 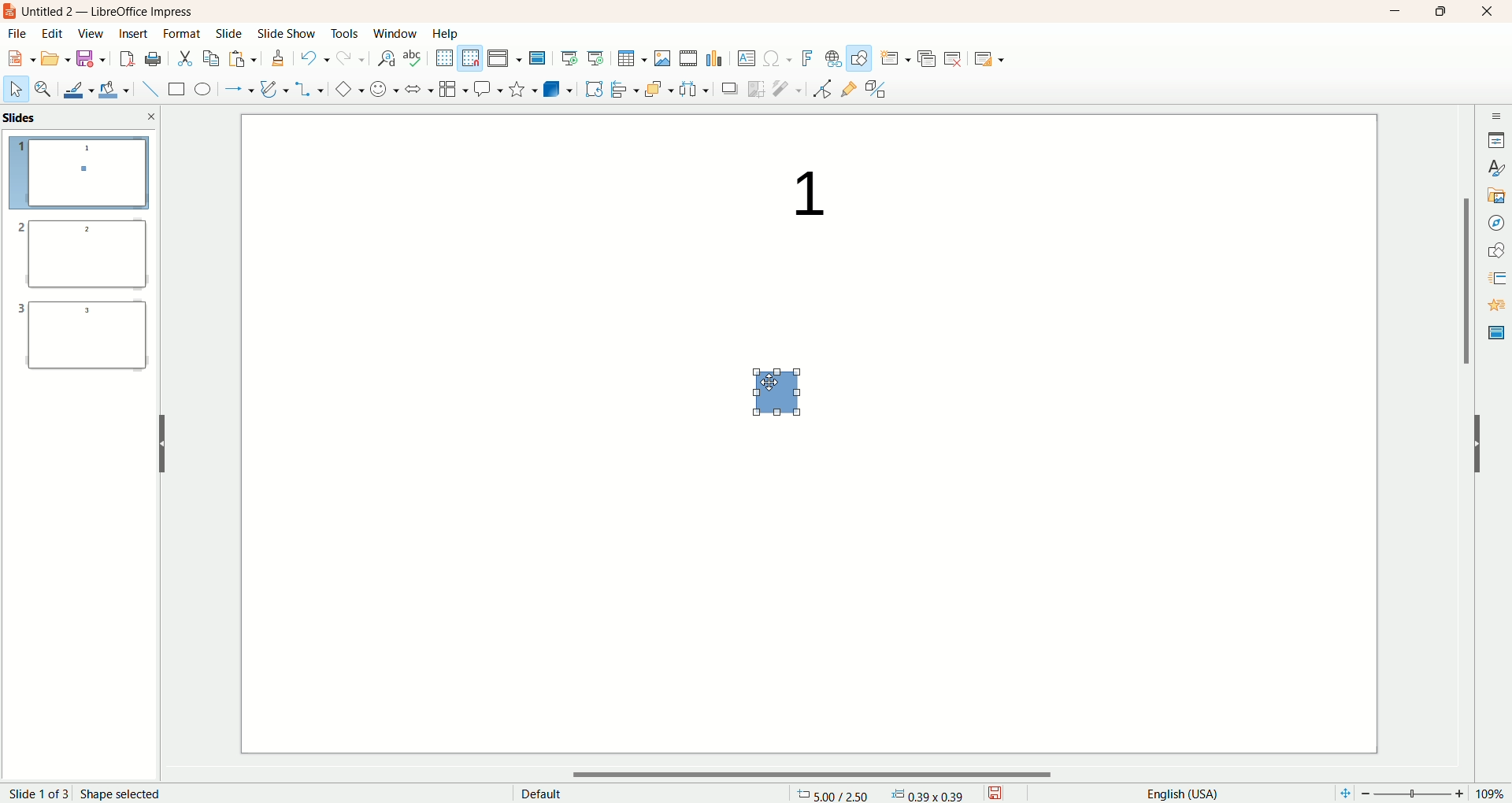 I want to click on insert audio or video, so click(x=688, y=58).